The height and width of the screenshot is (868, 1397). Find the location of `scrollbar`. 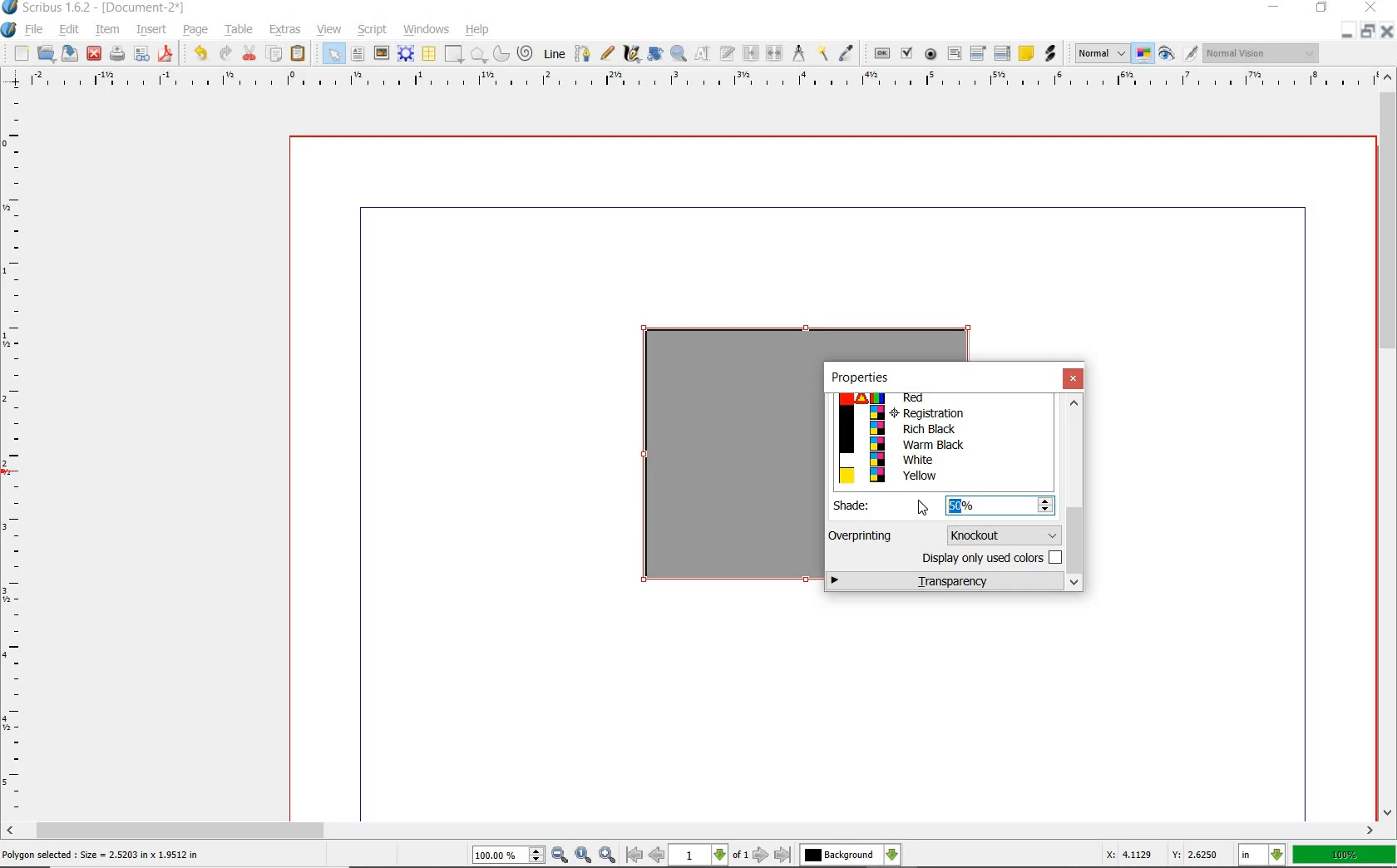

scrollbar is located at coordinates (1075, 494).